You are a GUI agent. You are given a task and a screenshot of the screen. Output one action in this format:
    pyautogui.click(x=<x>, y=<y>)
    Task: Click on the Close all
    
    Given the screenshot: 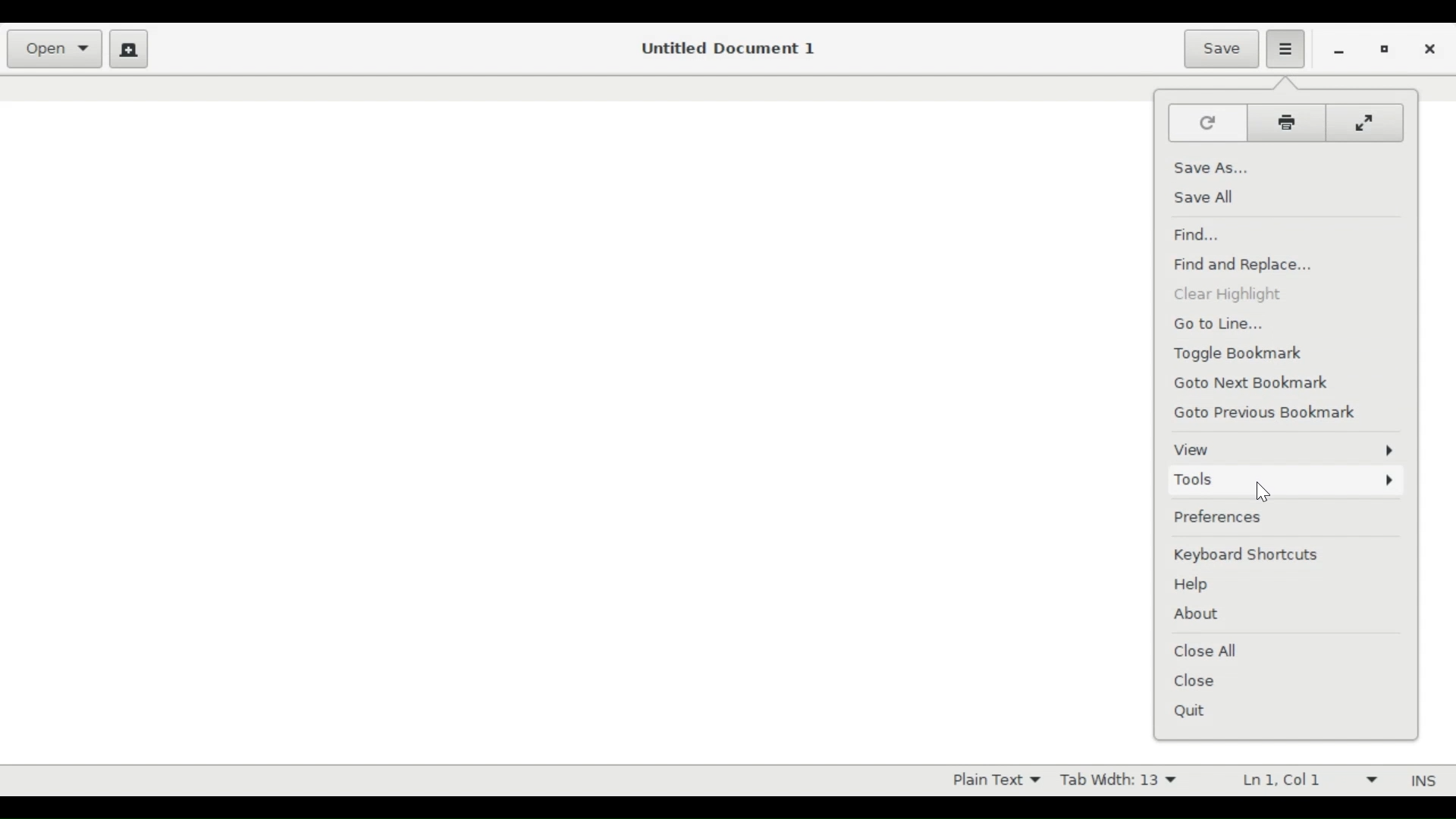 What is the action you would take?
    pyautogui.click(x=1210, y=650)
    